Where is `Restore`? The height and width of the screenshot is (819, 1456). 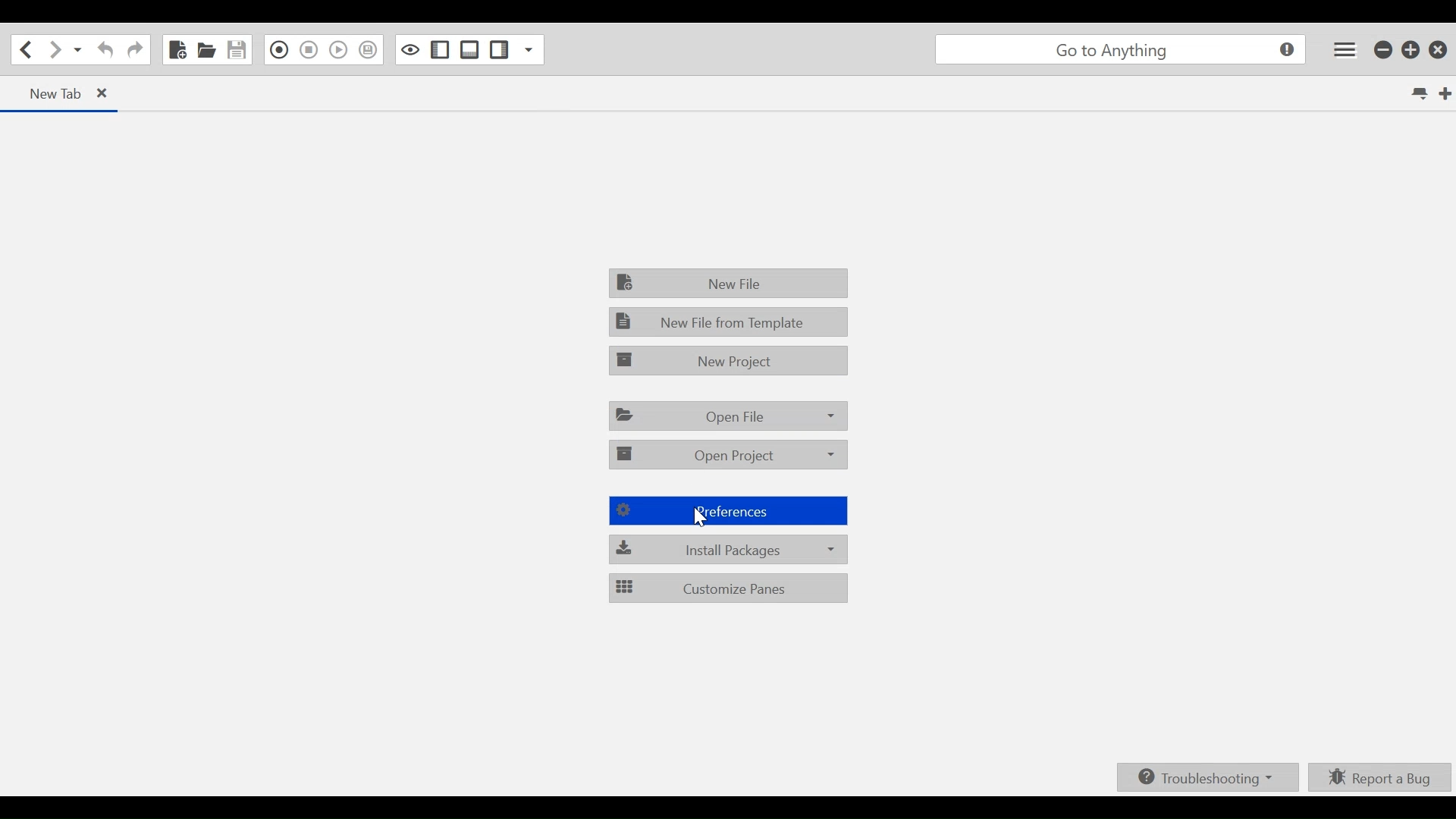 Restore is located at coordinates (1412, 49).